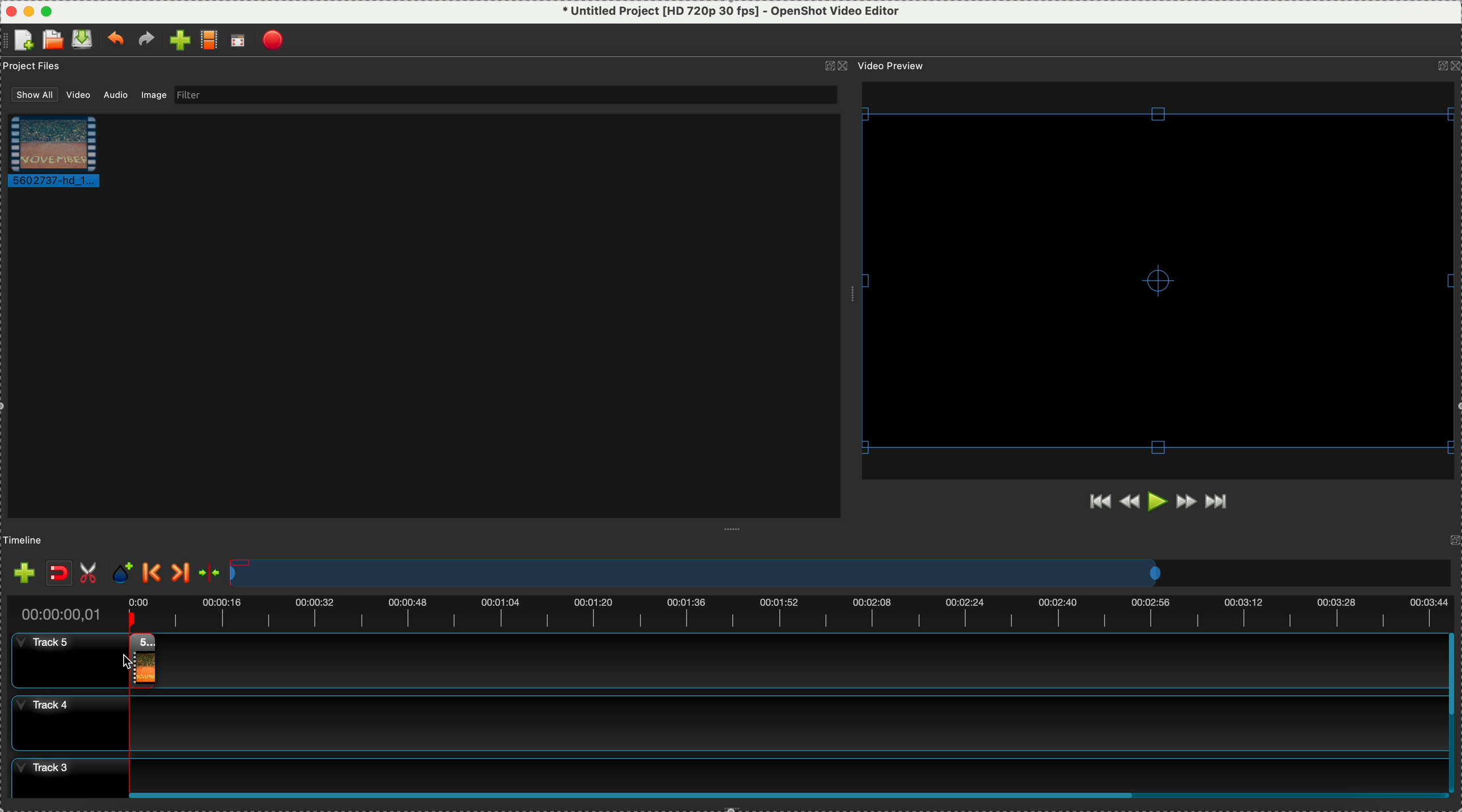 This screenshot has height=812, width=1462. What do you see at coordinates (33, 68) in the screenshot?
I see `project files` at bounding box center [33, 68].